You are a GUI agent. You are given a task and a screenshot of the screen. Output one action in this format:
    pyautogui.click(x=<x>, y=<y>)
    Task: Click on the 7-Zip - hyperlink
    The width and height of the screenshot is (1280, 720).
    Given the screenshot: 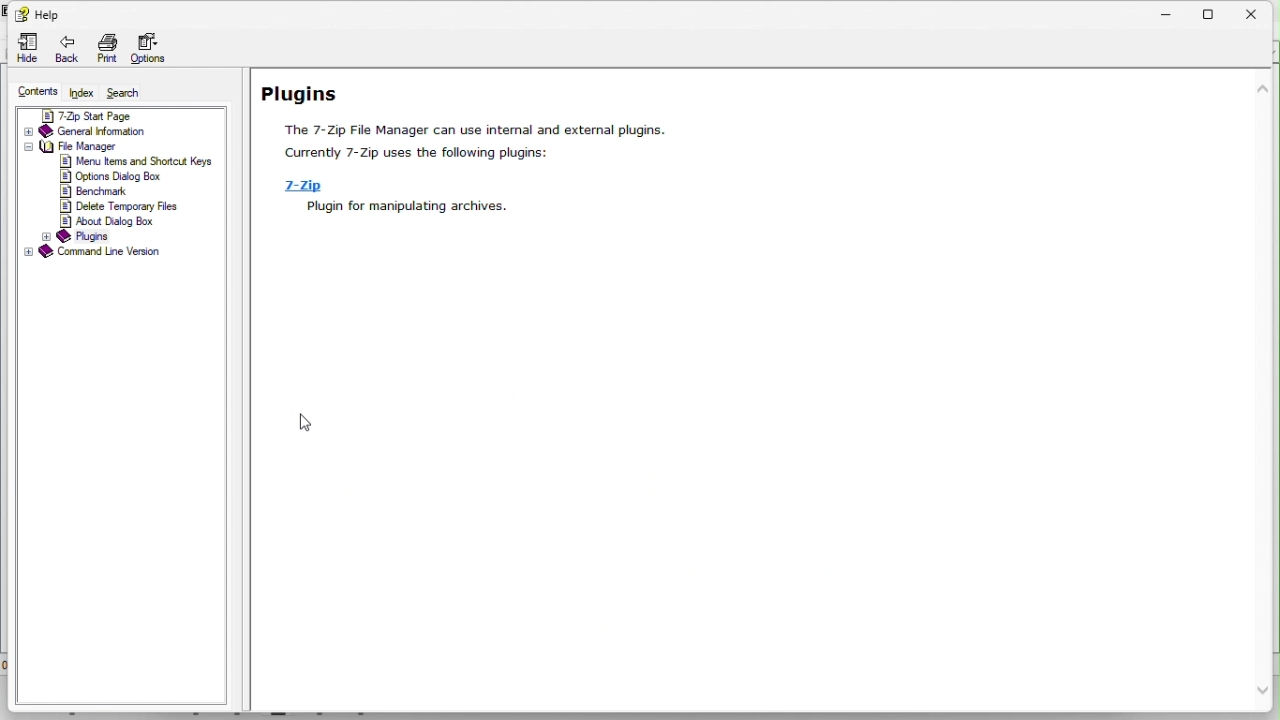 What is the action you would take?
    pyautogui.click(x=297, y=185)
    